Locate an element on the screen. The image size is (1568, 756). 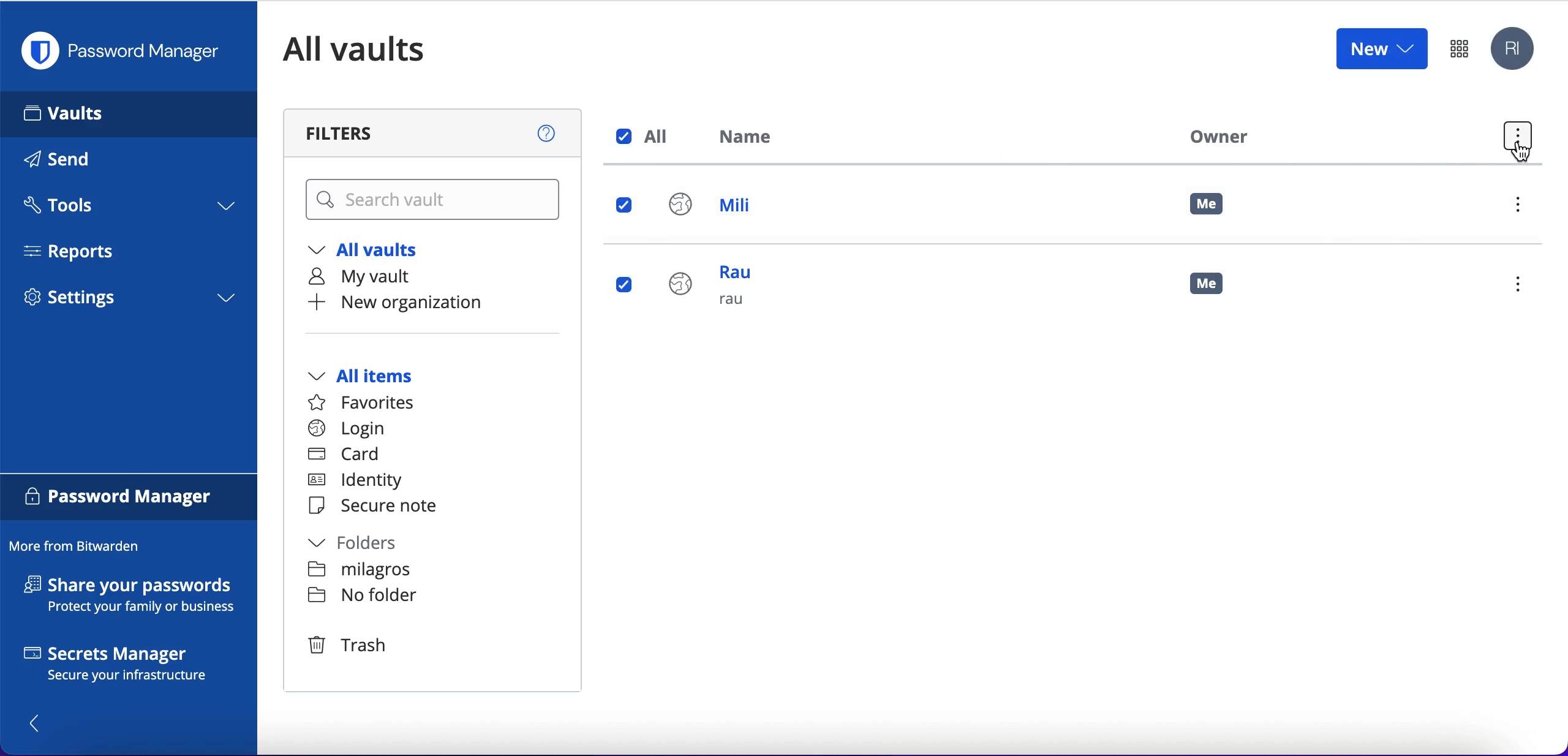
send is located at coordinates (75, 162).